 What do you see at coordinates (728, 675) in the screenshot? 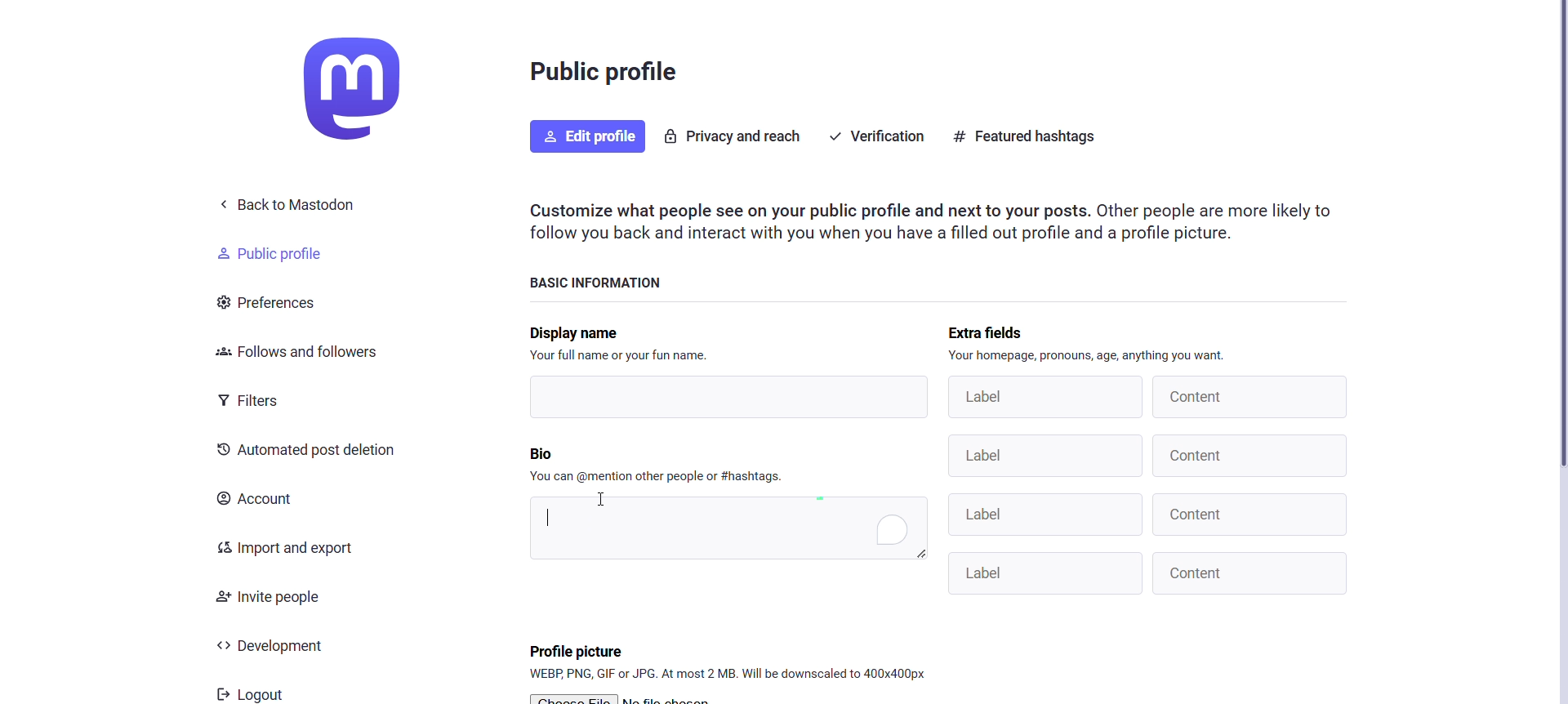
I see `WEBP, PNG, GIF or JPG. At most 2 MB. Will be downscaled to 400x400px` at bounding box center [728, 675].